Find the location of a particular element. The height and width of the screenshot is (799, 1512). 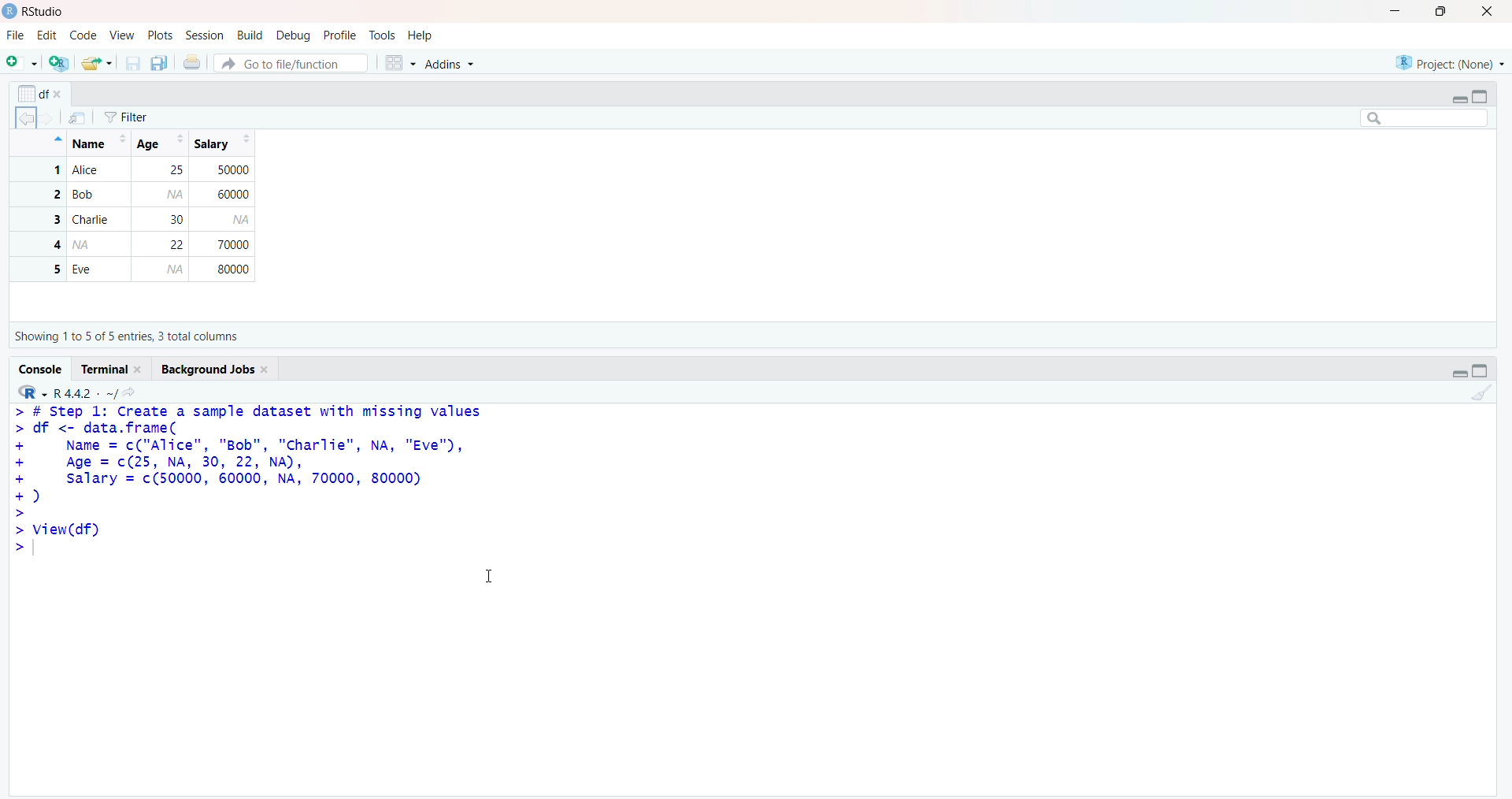

Session is located at coordinates (205, 36).